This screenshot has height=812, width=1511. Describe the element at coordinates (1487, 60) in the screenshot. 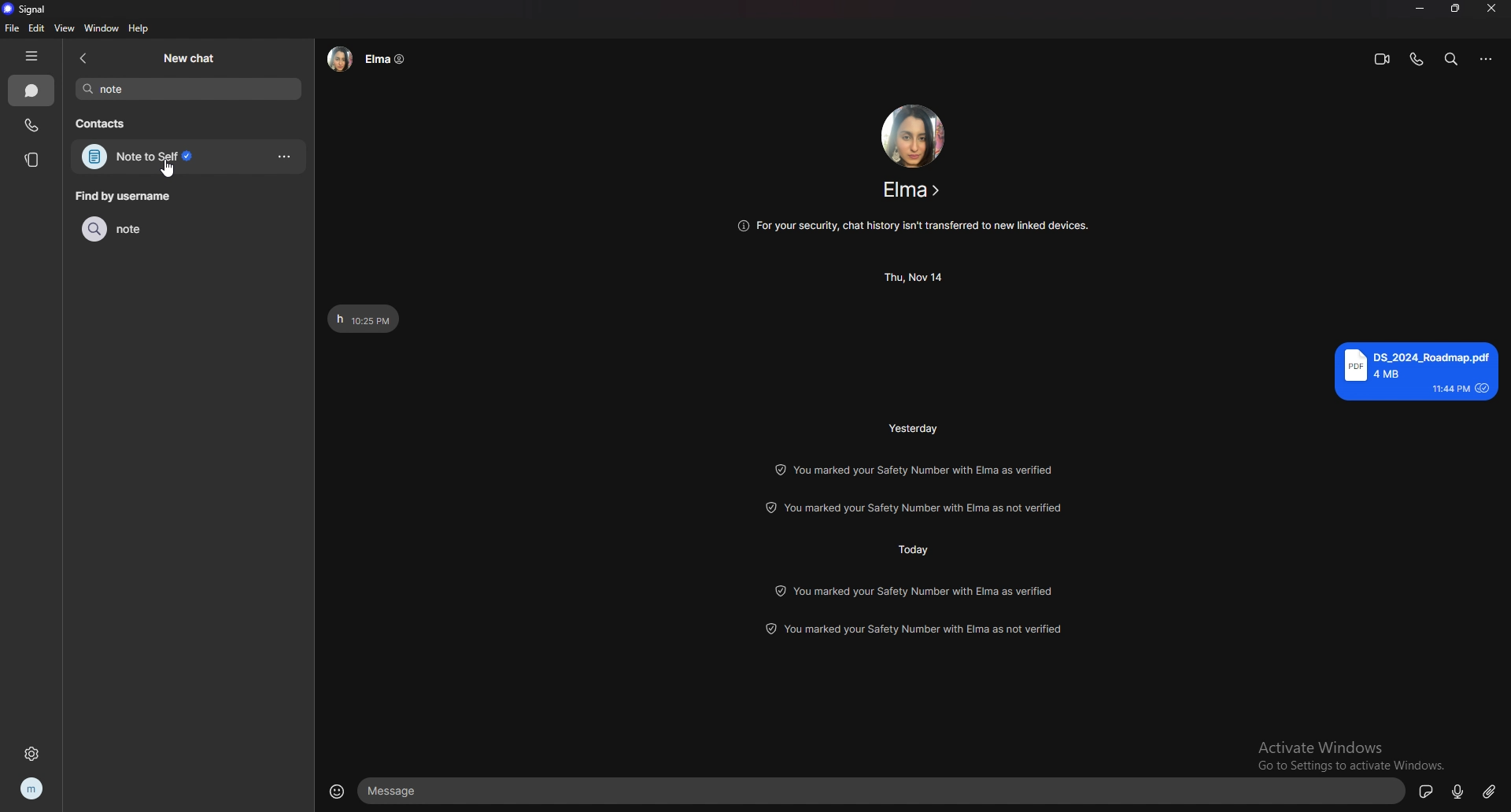

I see `options` at that location.